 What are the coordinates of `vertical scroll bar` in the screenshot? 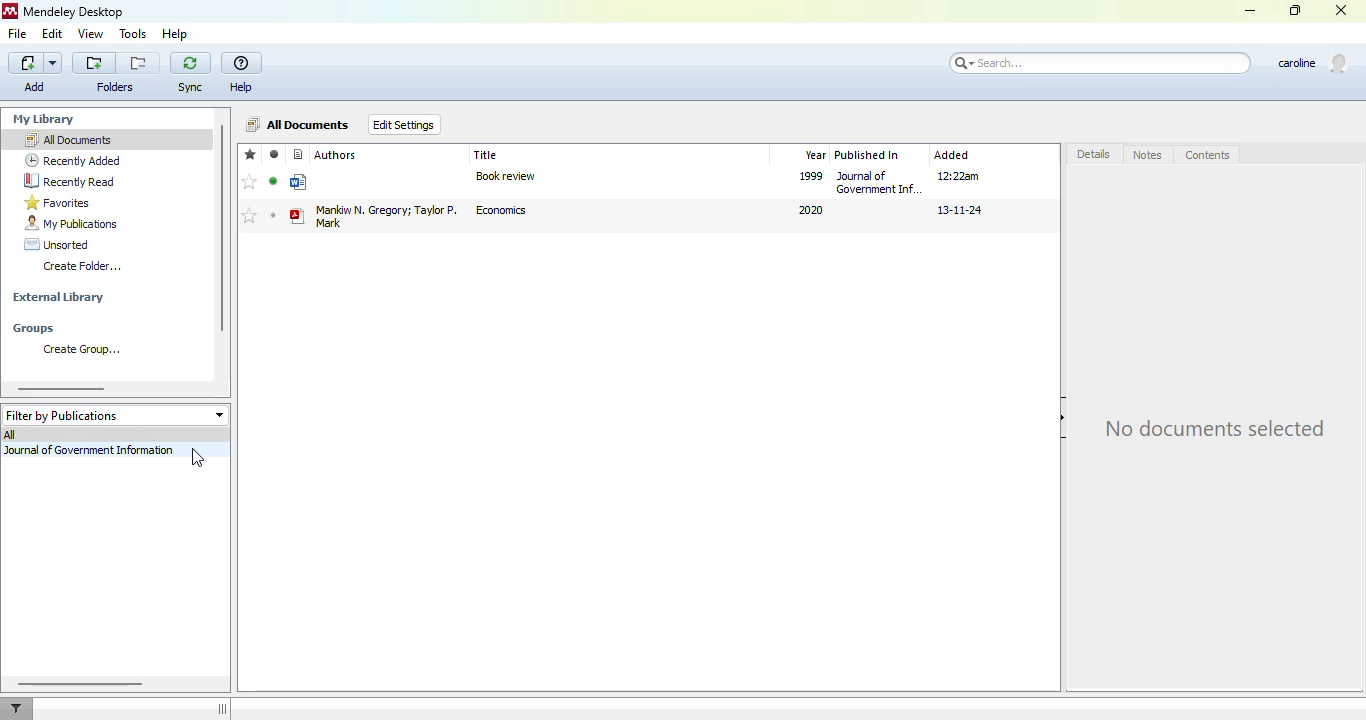 It's located at (221, 228).